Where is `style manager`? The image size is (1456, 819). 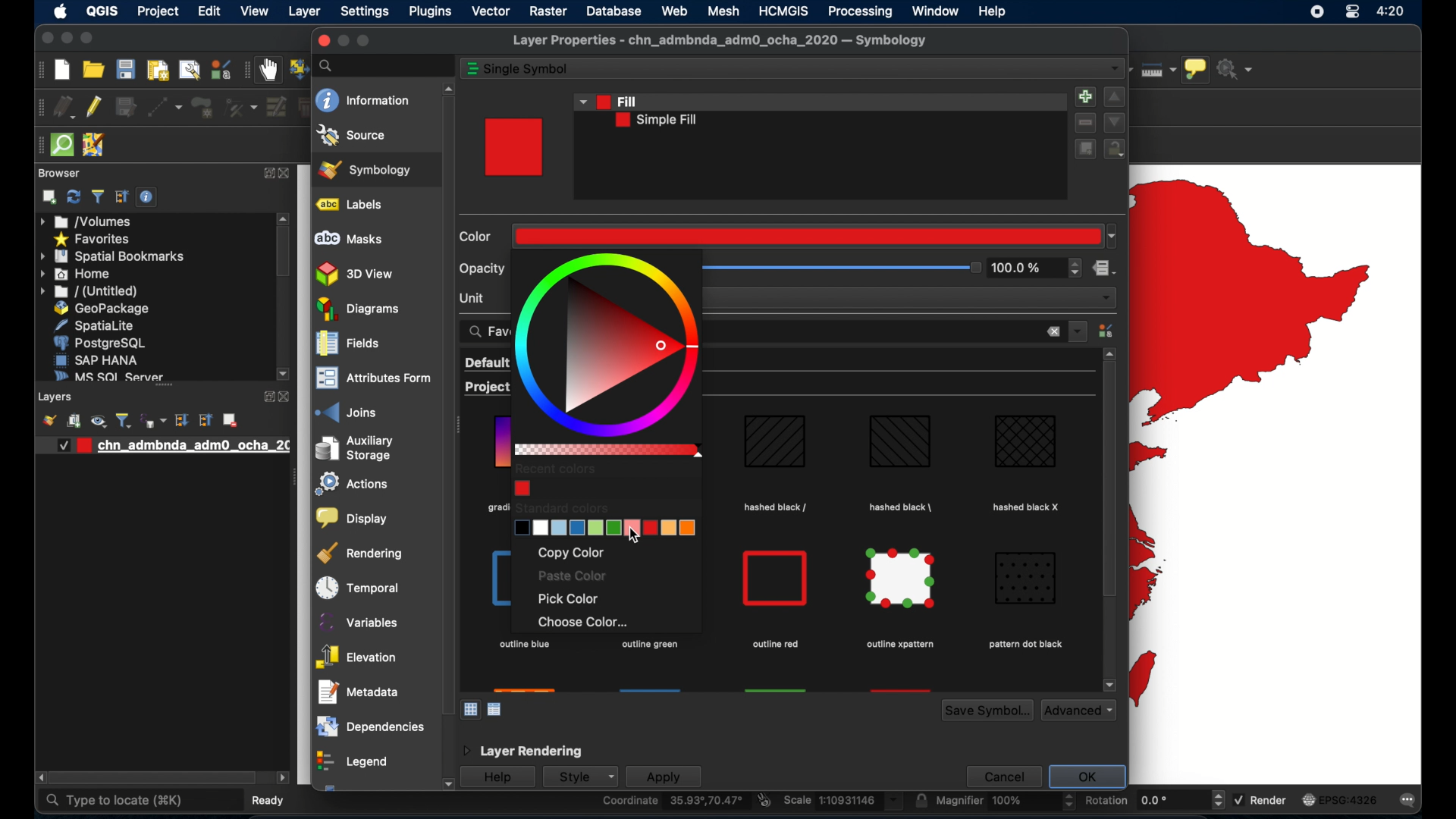
style manager is located at coordinates (220, 70).